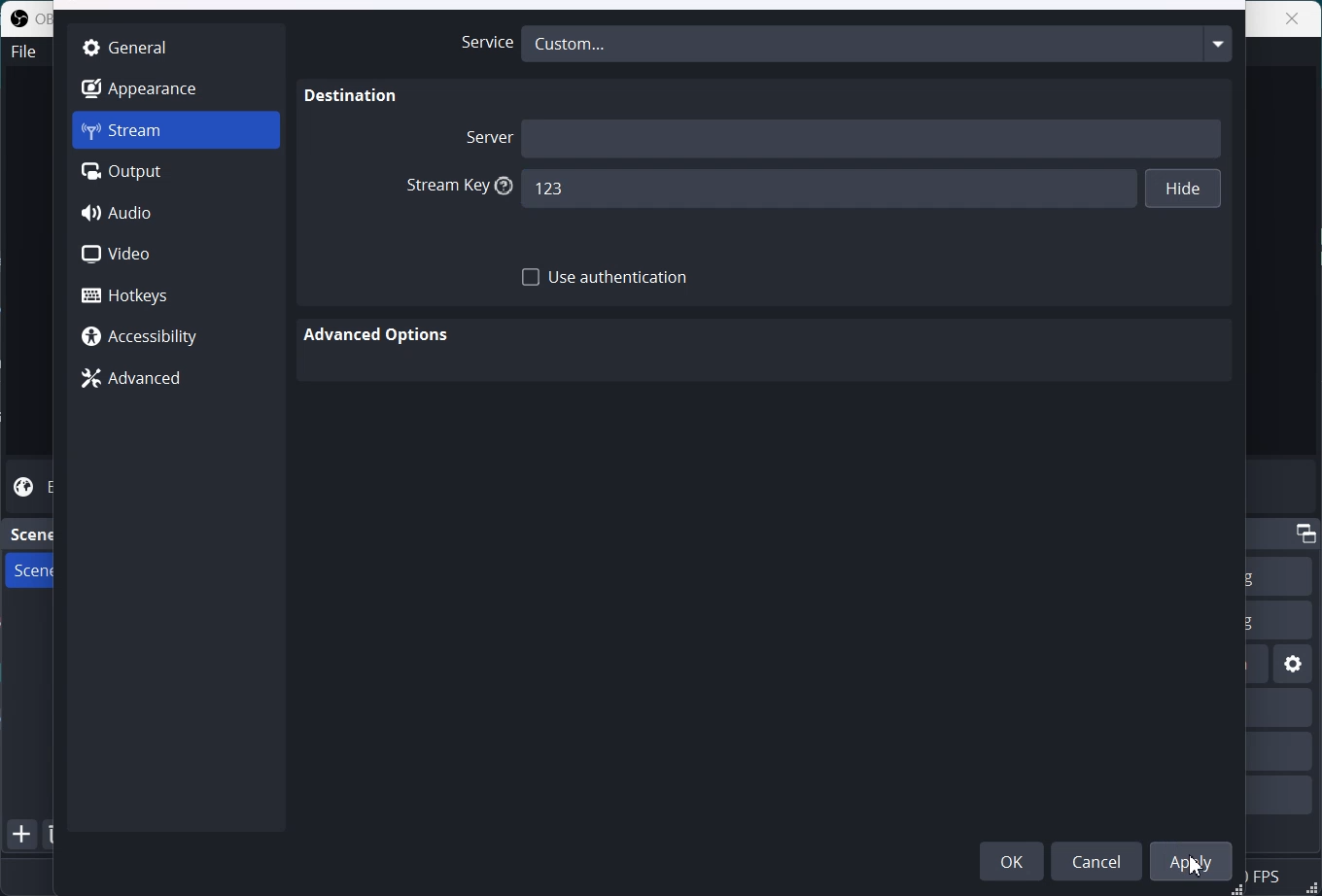  What do you see at coordinates (454, 187) in the screenshot?
I see `Stream Key ` at bounding box center [454, 187].